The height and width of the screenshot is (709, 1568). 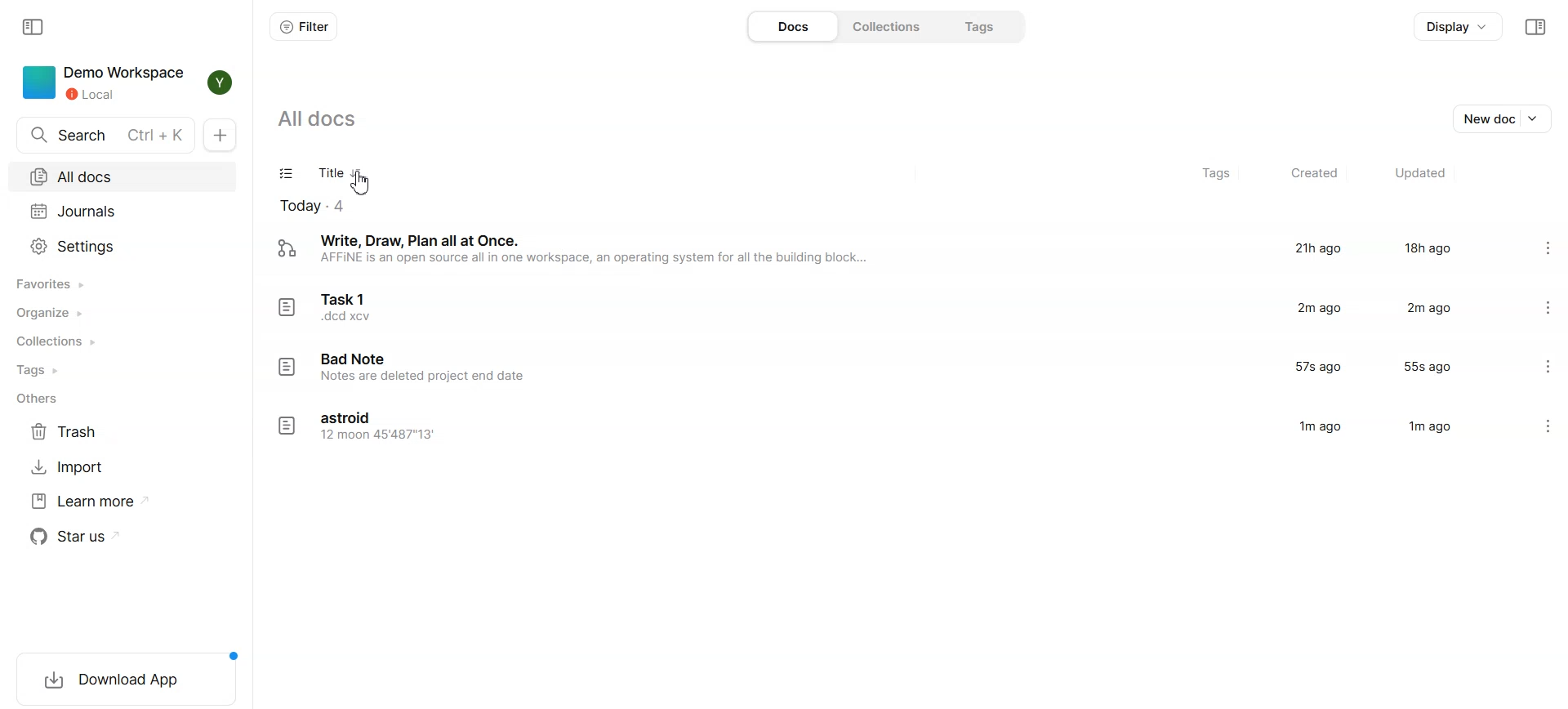 I want to click on Search Ctrl+K, so click(x=103, y=135).